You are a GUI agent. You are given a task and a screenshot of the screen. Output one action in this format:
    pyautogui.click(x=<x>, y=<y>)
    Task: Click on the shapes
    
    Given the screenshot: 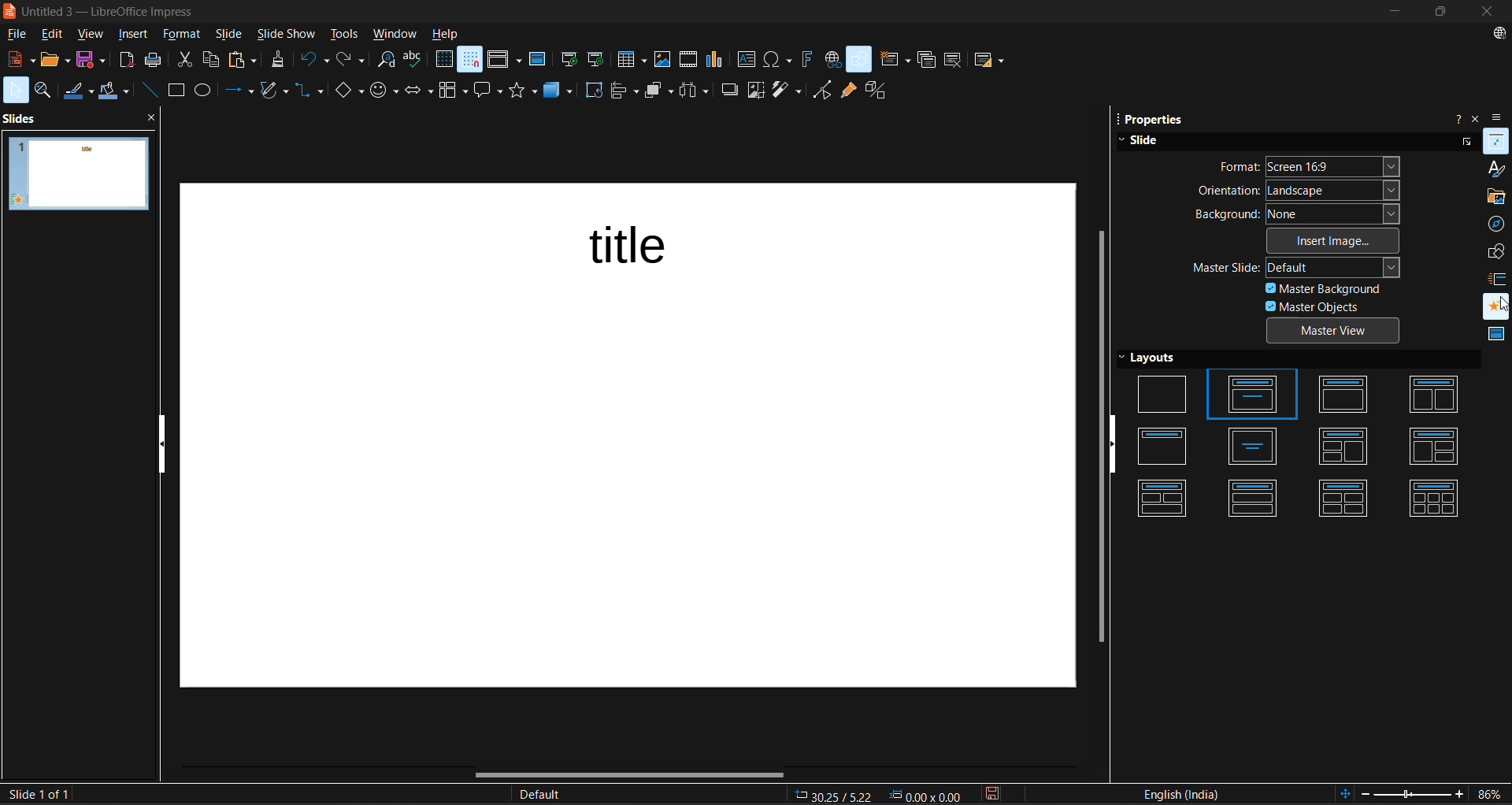 What is the action you would take?
    pyautogui.click(x=1498, y=251)
    